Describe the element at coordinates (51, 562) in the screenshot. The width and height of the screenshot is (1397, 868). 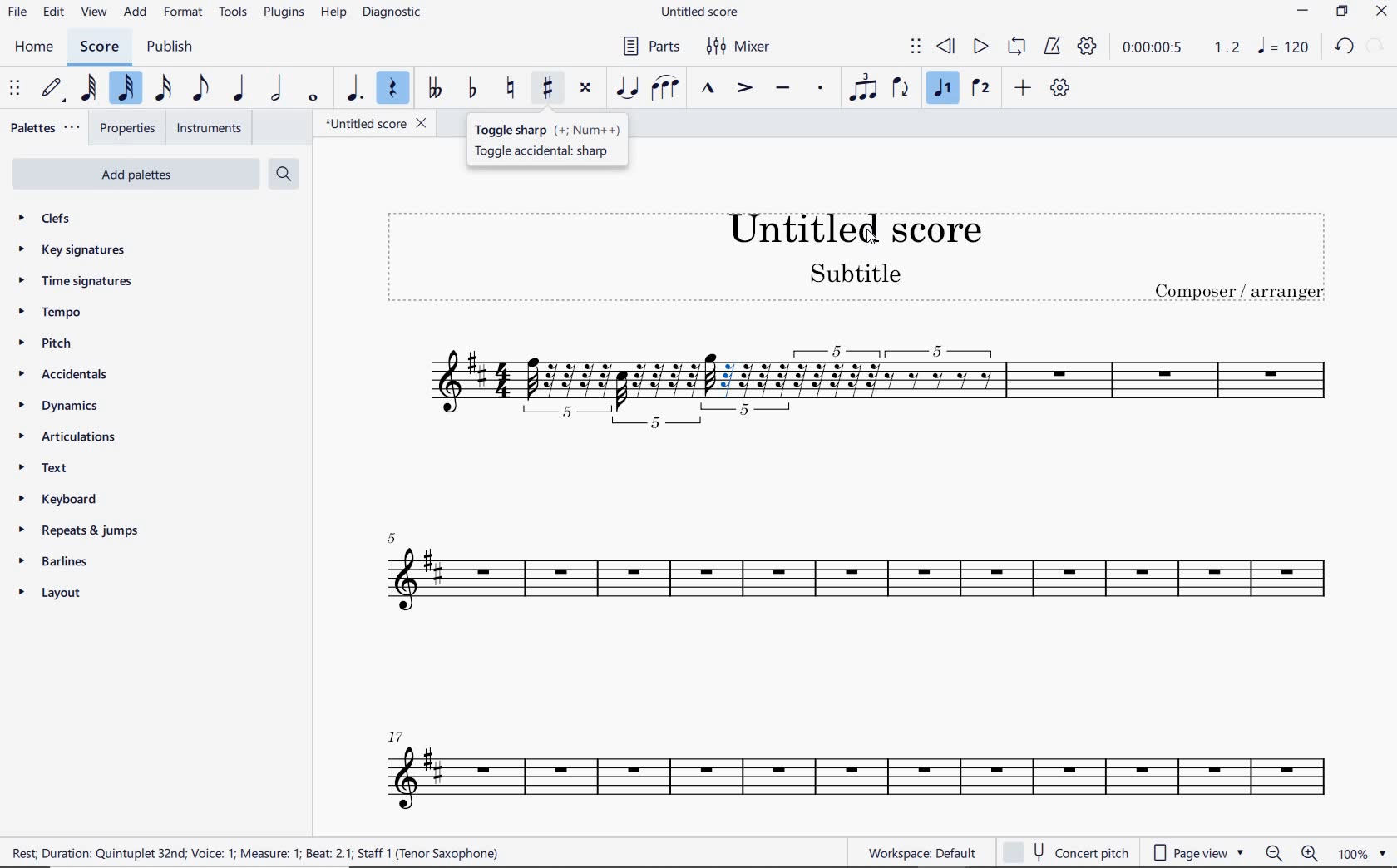
I see `BARLINES` at that location.